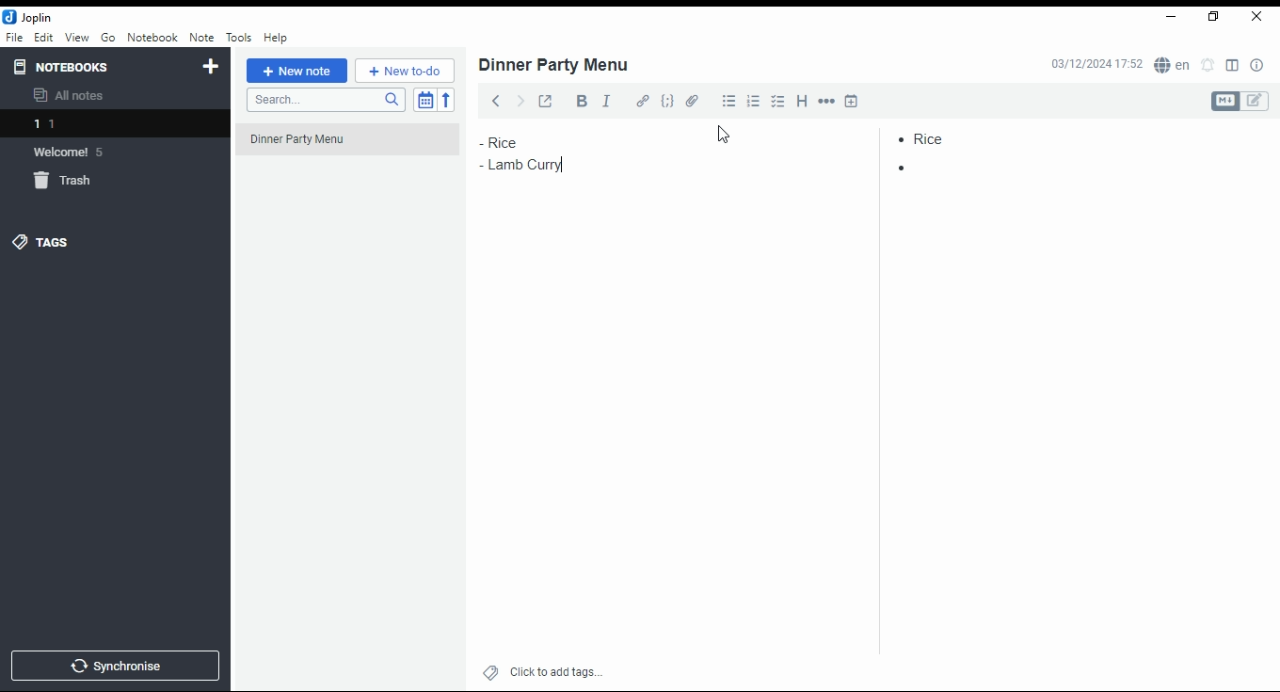 This screenshot has width=1280, height=692. Describe the element at coordinates (200, 38) in the screenshot. I see `note` at that location.